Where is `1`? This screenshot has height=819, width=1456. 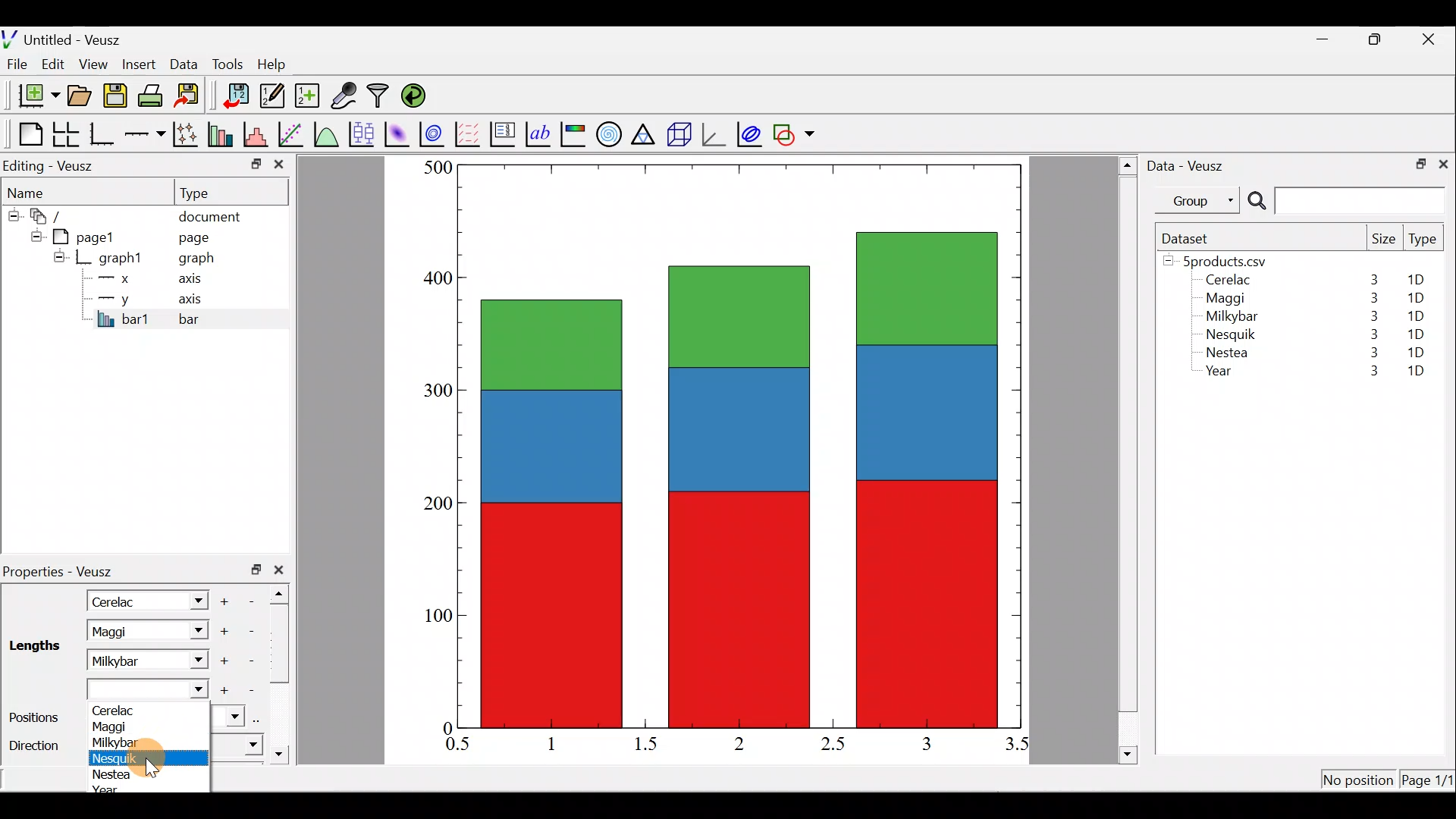
1 is located at coordinates (563, 743).